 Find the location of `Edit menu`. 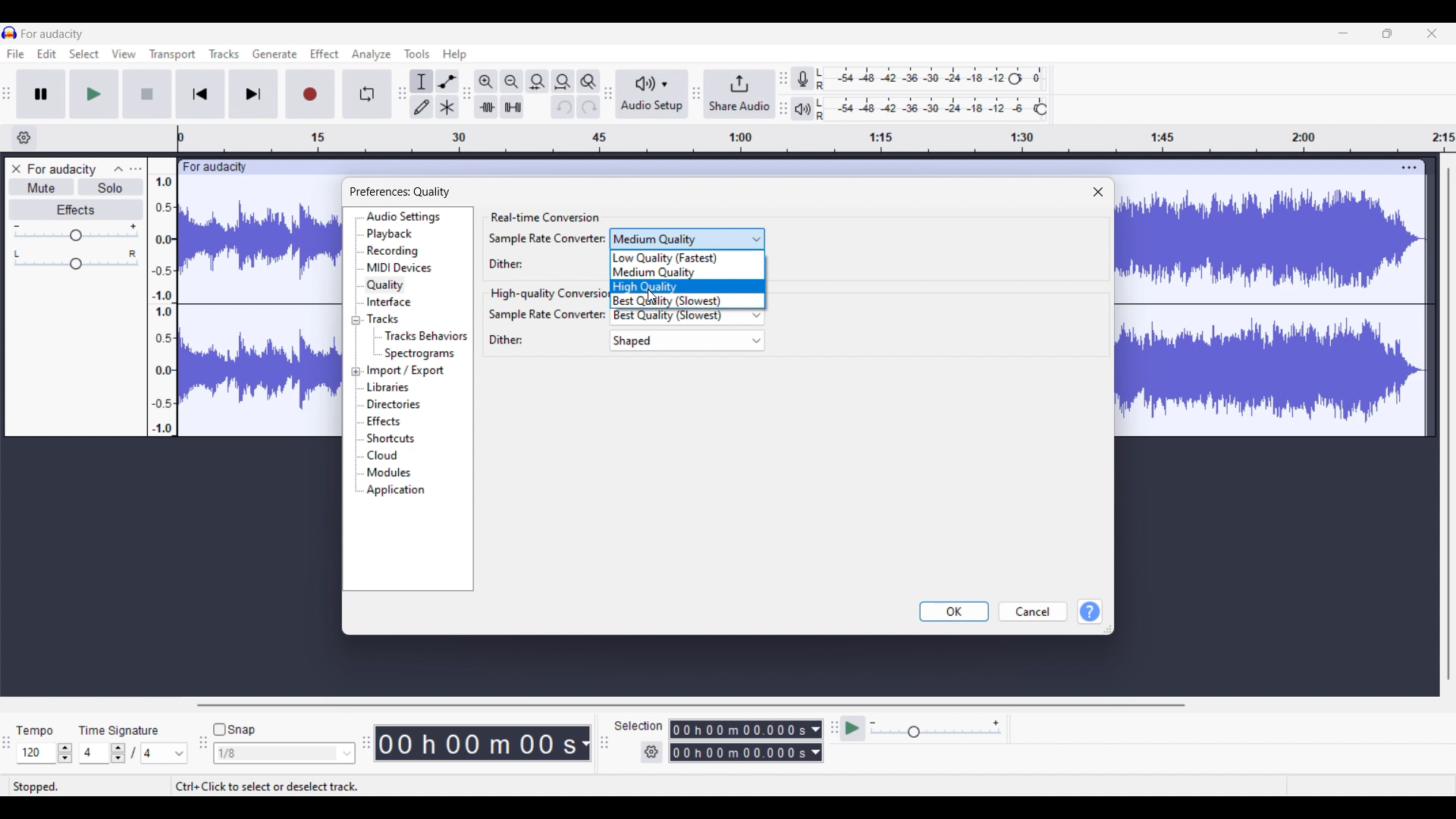

Edit menu is located at coordinates (46, 53).